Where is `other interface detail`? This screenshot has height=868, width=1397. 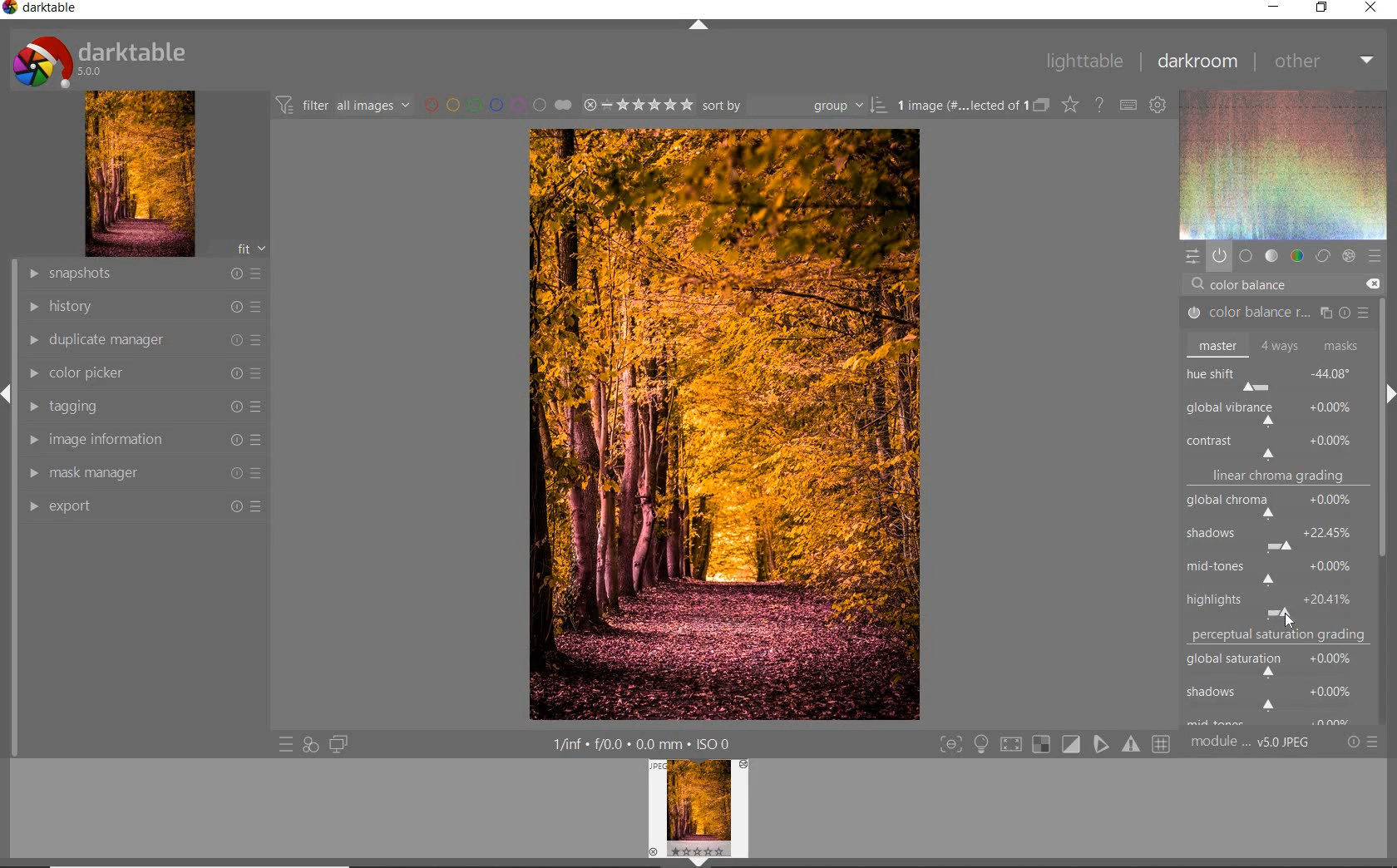 other interface detail is located at coordinates (644, 744).